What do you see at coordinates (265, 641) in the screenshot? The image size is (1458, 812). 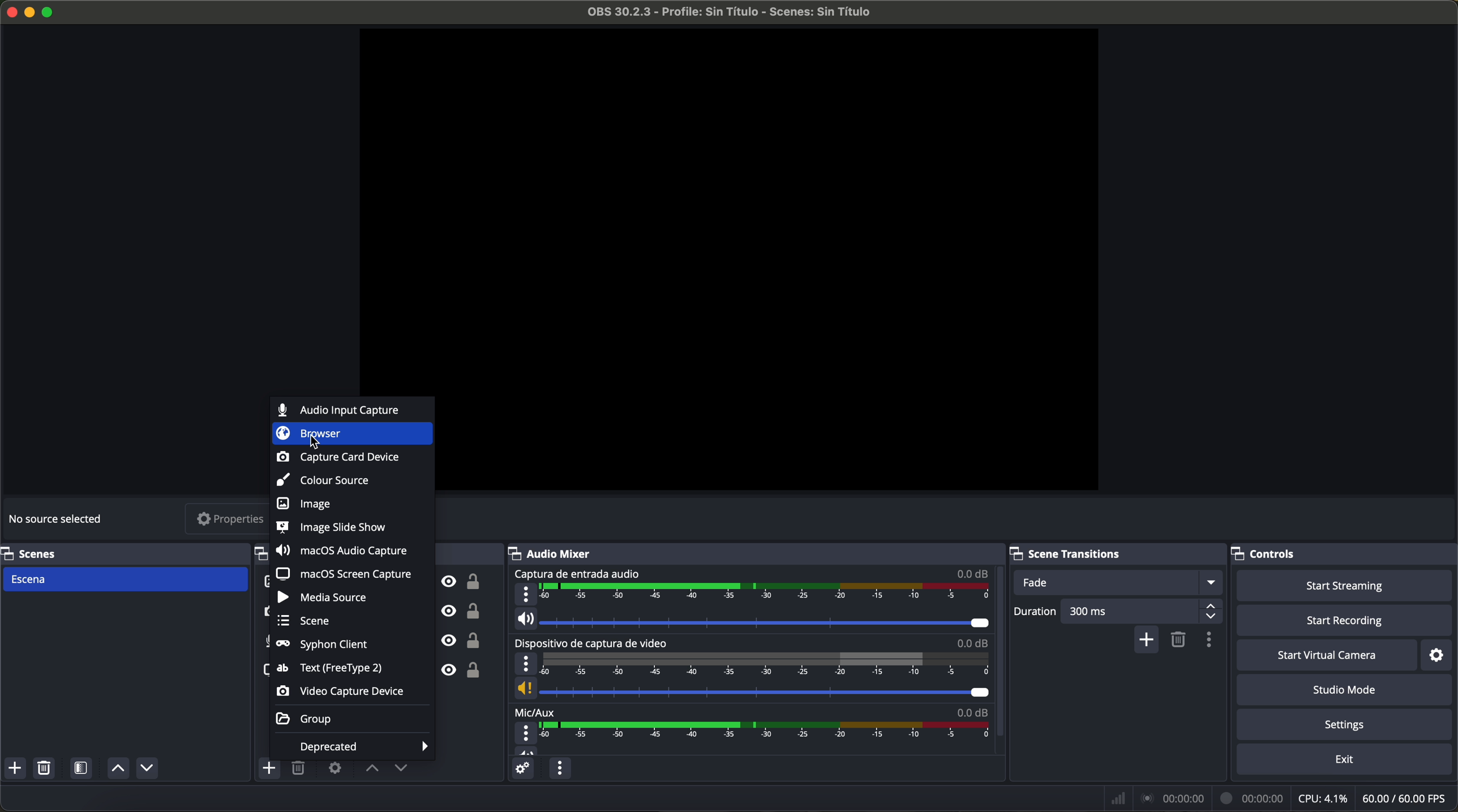 I see `audio input capture` at bounding box center [265, 641].